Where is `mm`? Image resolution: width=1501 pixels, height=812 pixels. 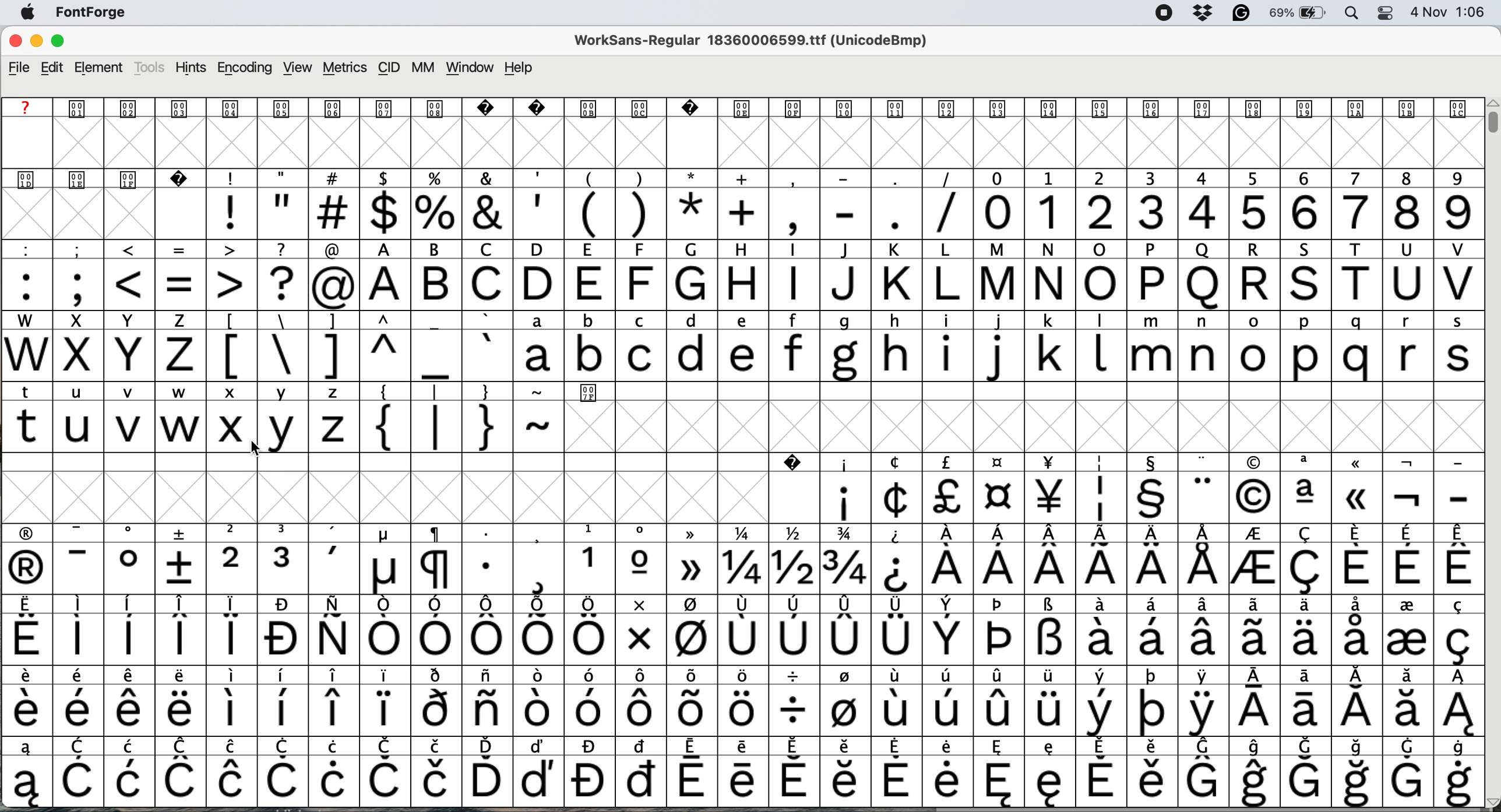 mm is located at coordinates (422, 68).